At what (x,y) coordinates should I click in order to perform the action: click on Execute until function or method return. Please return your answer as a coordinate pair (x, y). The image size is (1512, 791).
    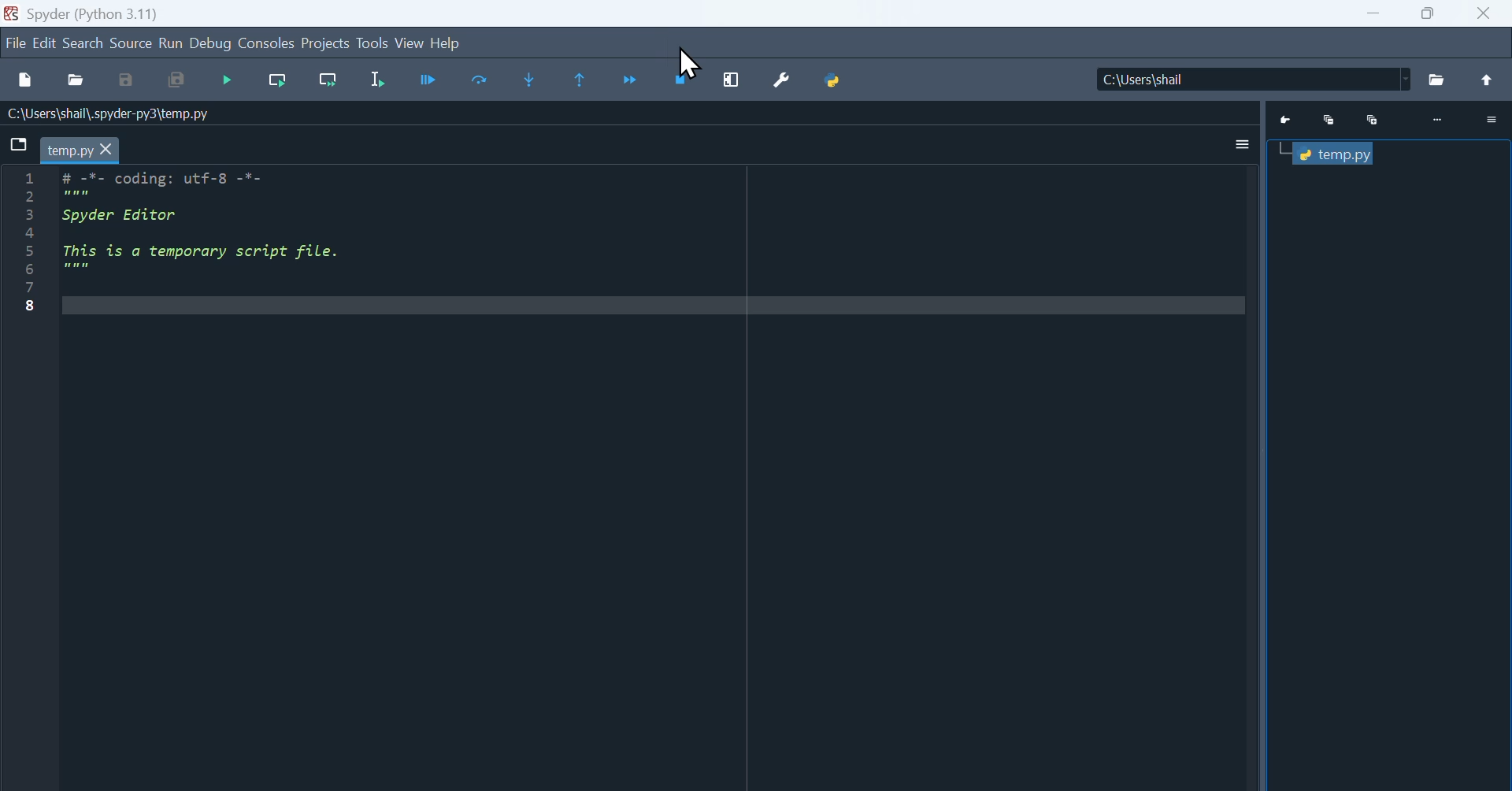
    Looking at the image, I should click on (581, 81).